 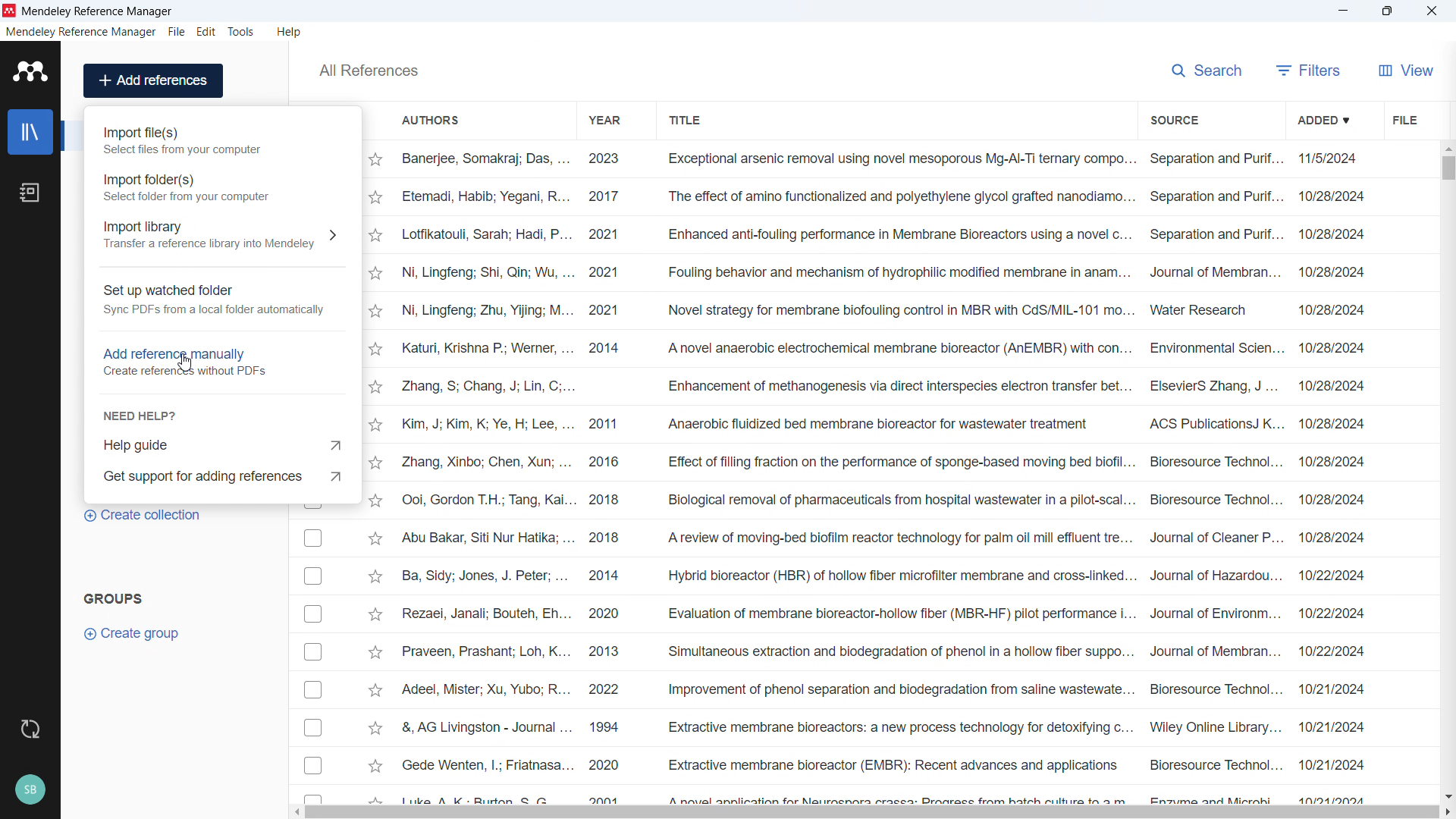 I want to click on Notebook , so click(x=30, y=193).